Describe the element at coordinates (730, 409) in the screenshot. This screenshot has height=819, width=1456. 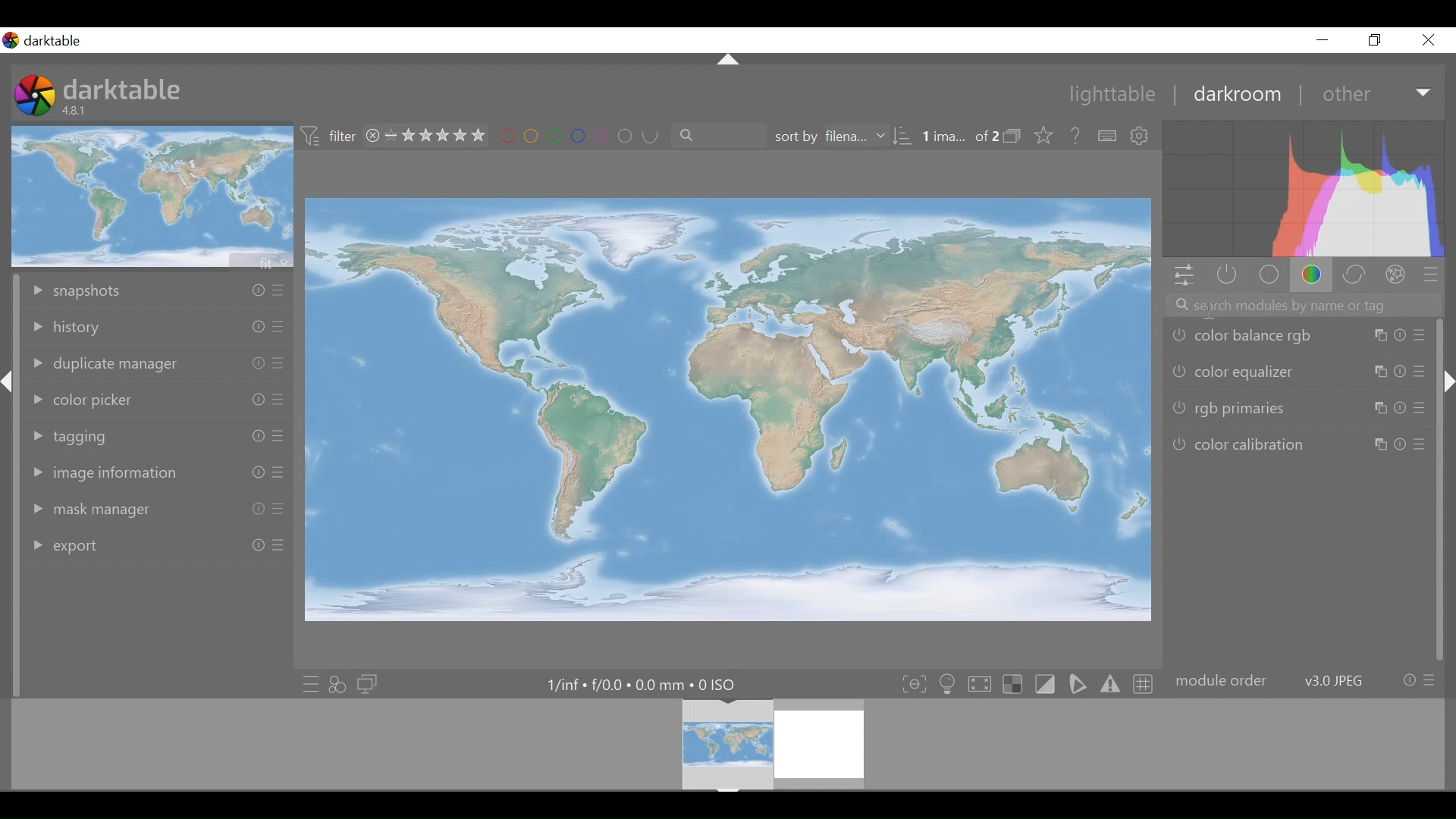
I see `main editing are` at that location.